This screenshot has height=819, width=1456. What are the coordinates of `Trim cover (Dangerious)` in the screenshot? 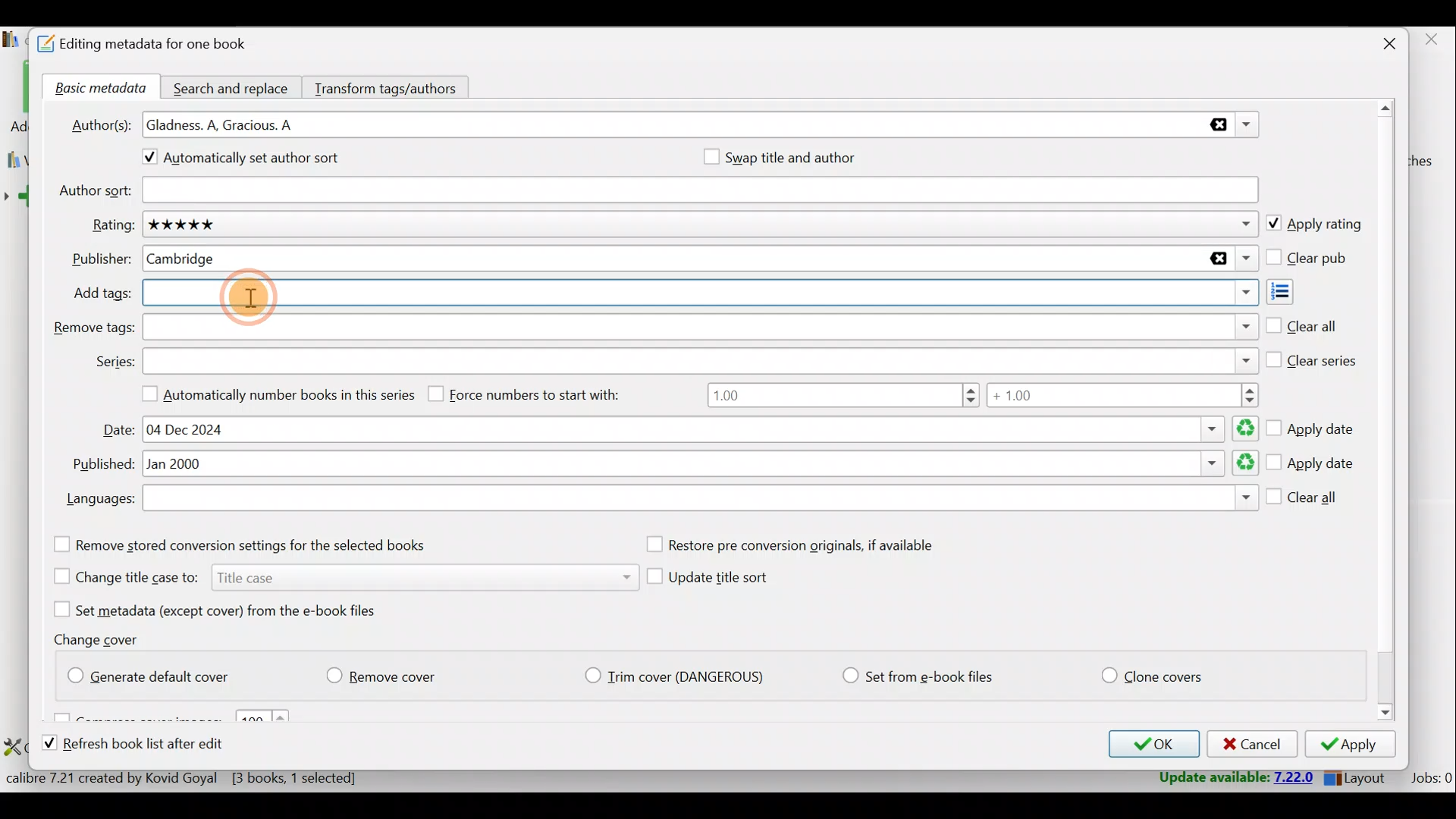 It's located at (679, 678).